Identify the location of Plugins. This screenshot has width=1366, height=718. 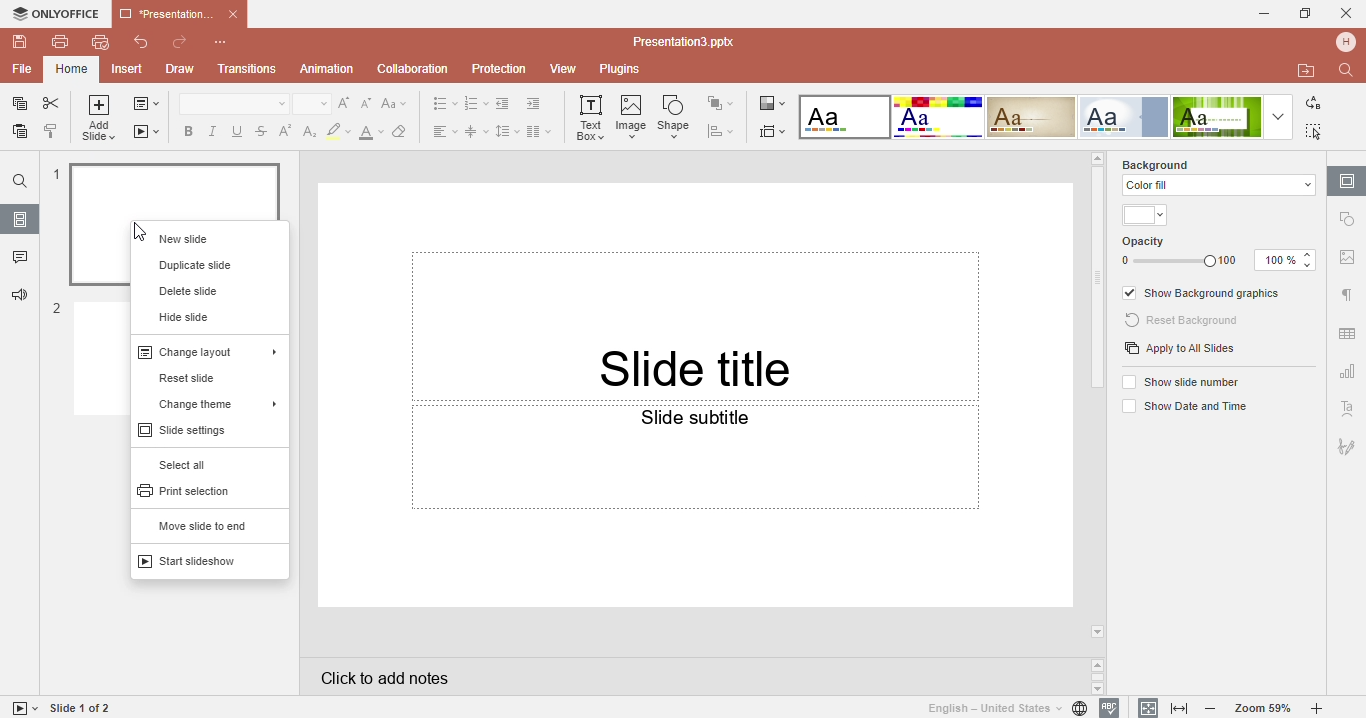
(629, 70).